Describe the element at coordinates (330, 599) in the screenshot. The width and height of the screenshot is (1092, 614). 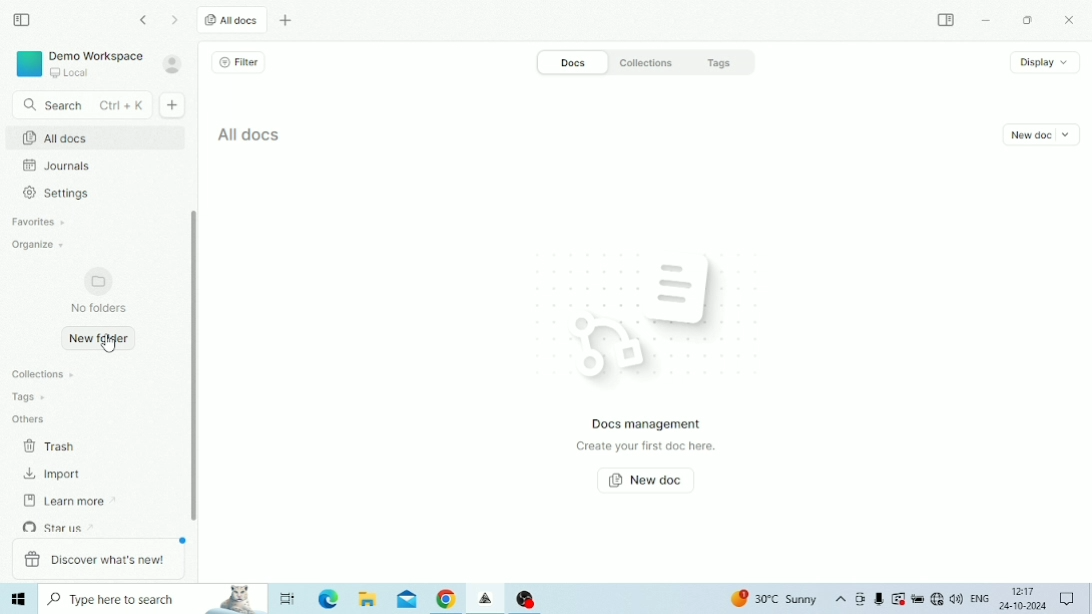
I see `Microsoft Edge` at that location.